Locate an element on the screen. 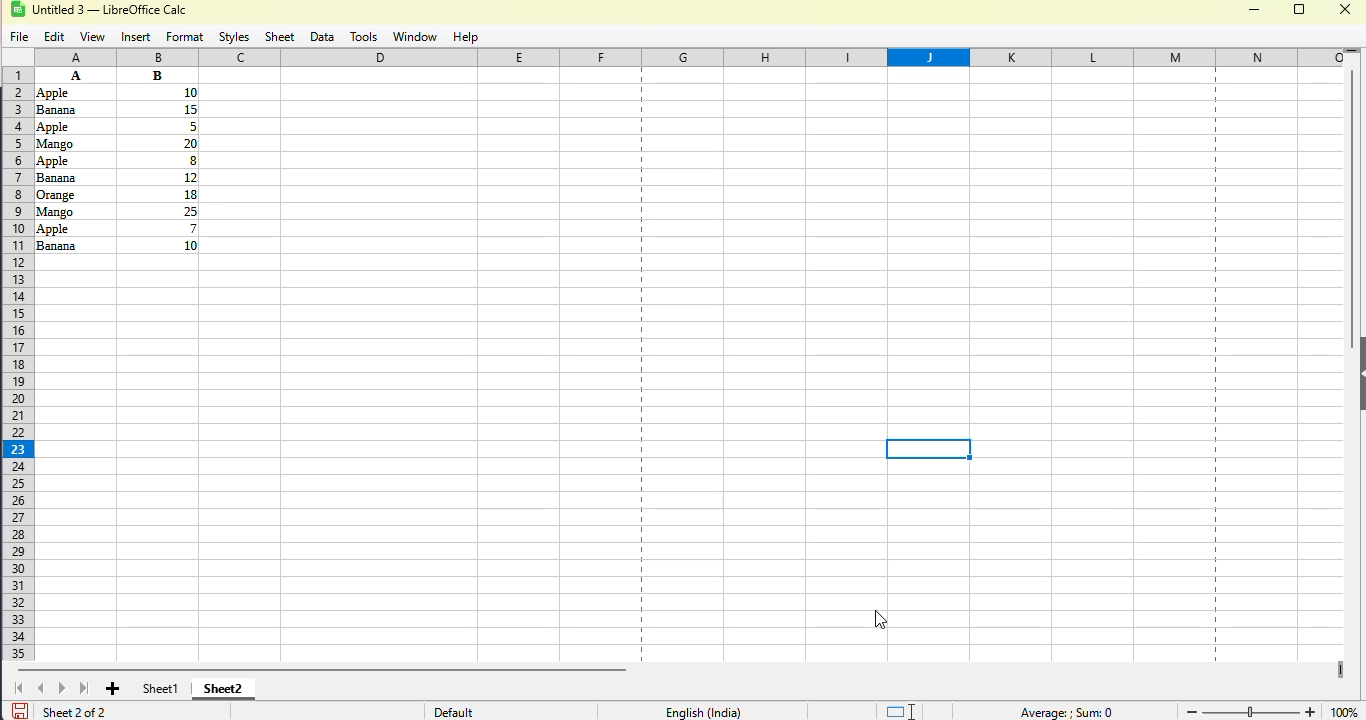 Image resolution: width=1366 pixels, height=720 pixels. insert is located at coordinates (136, 38).